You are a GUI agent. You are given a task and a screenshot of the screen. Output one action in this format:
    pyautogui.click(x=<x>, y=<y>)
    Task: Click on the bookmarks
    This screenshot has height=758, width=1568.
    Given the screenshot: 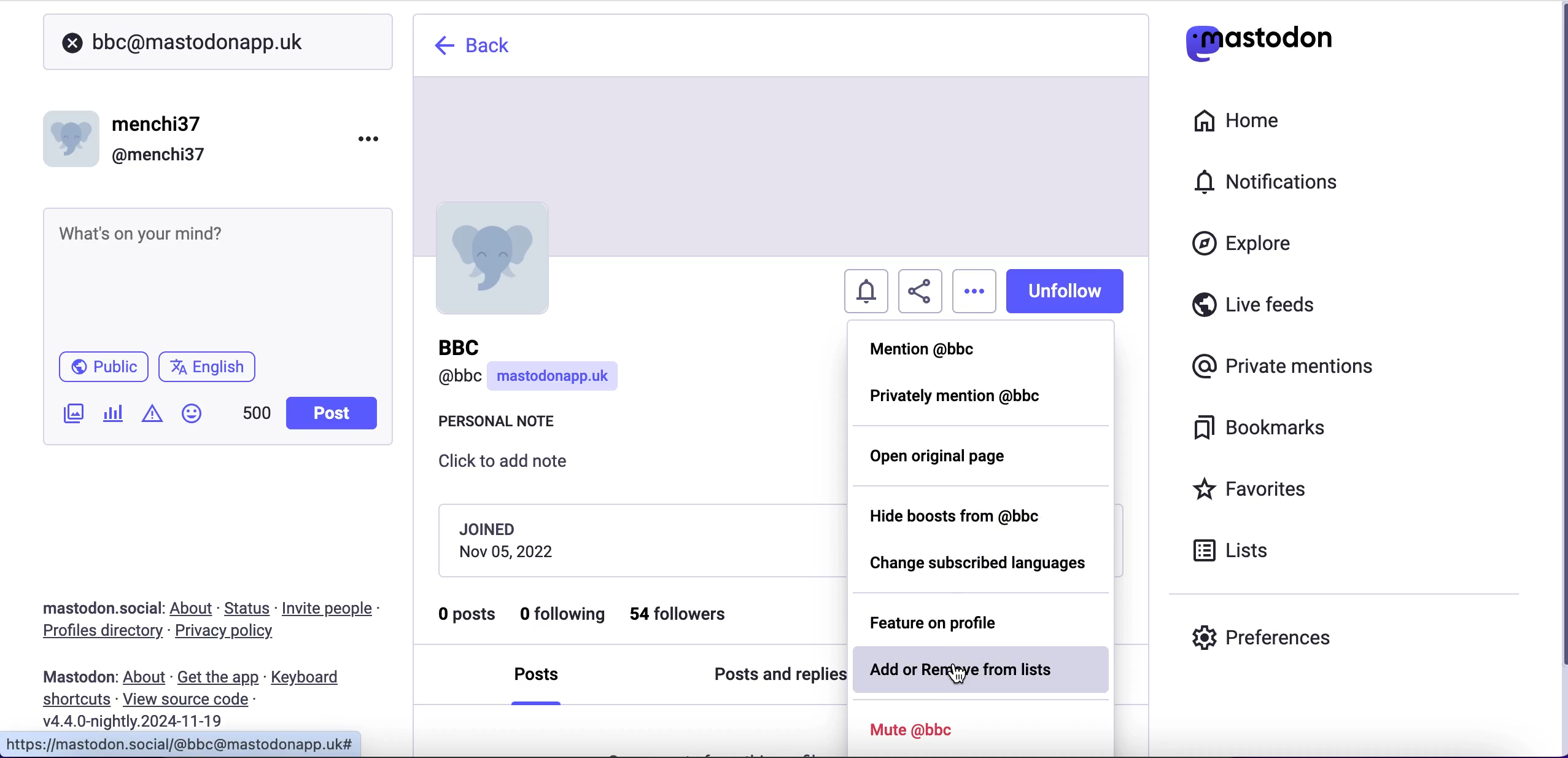 What is the action you would take?
    pyautogui.click(x=1263, y=428)
    